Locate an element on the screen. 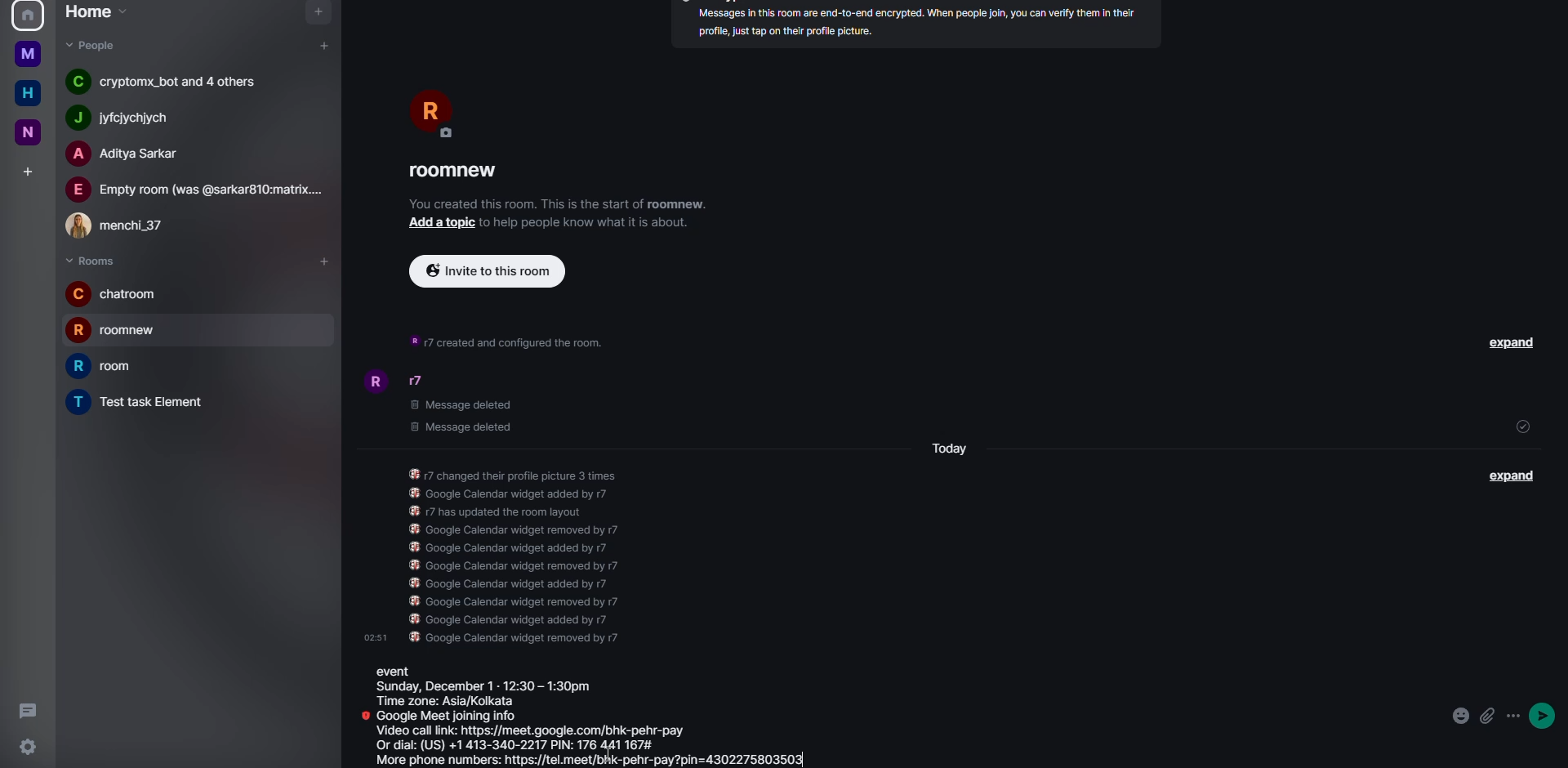 This screenshot has height=768, width=1568. add is located at coordinates (28, 169).